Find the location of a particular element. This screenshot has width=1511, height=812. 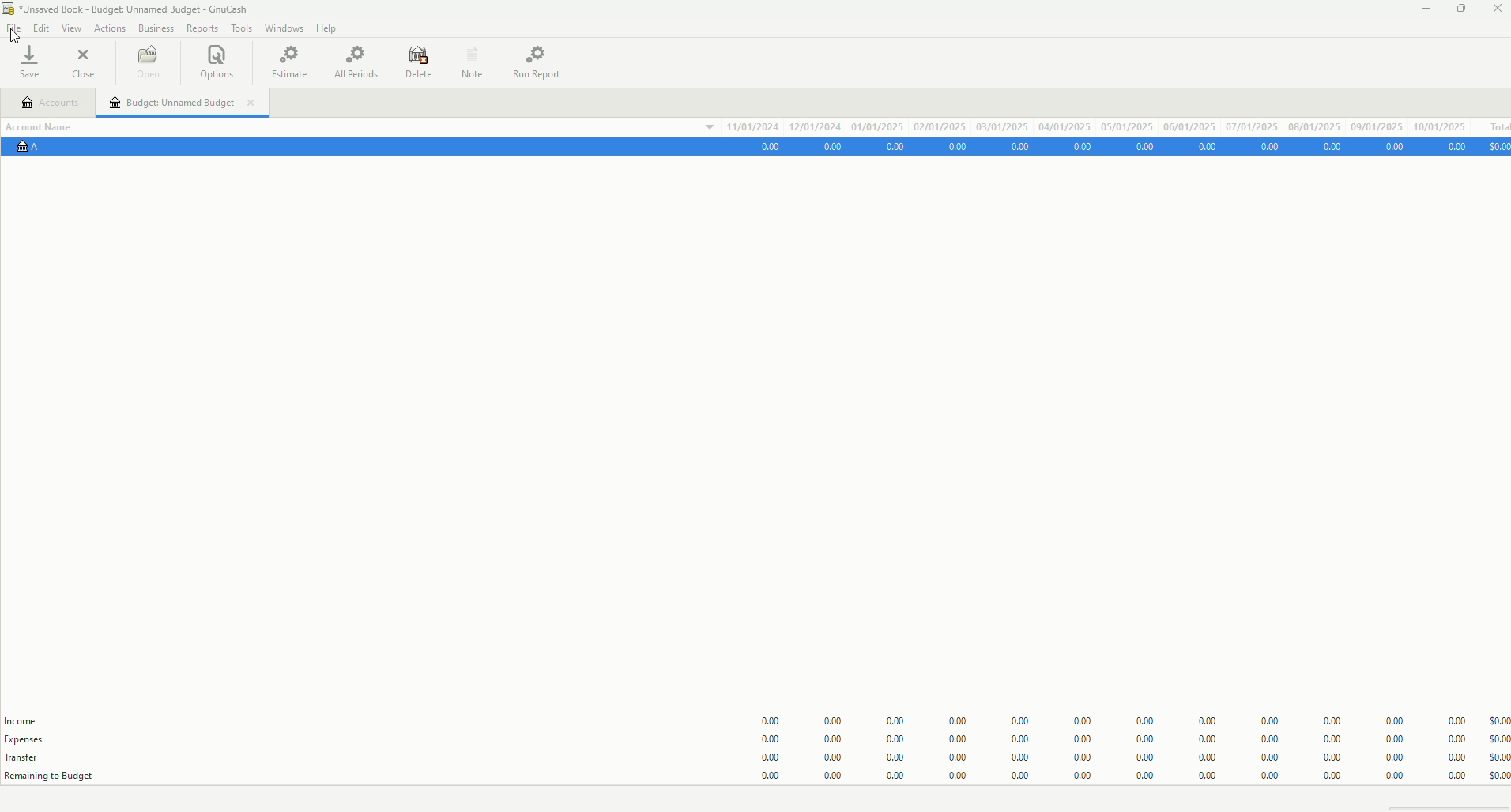

Restore is located at coordinates (1463, 10).